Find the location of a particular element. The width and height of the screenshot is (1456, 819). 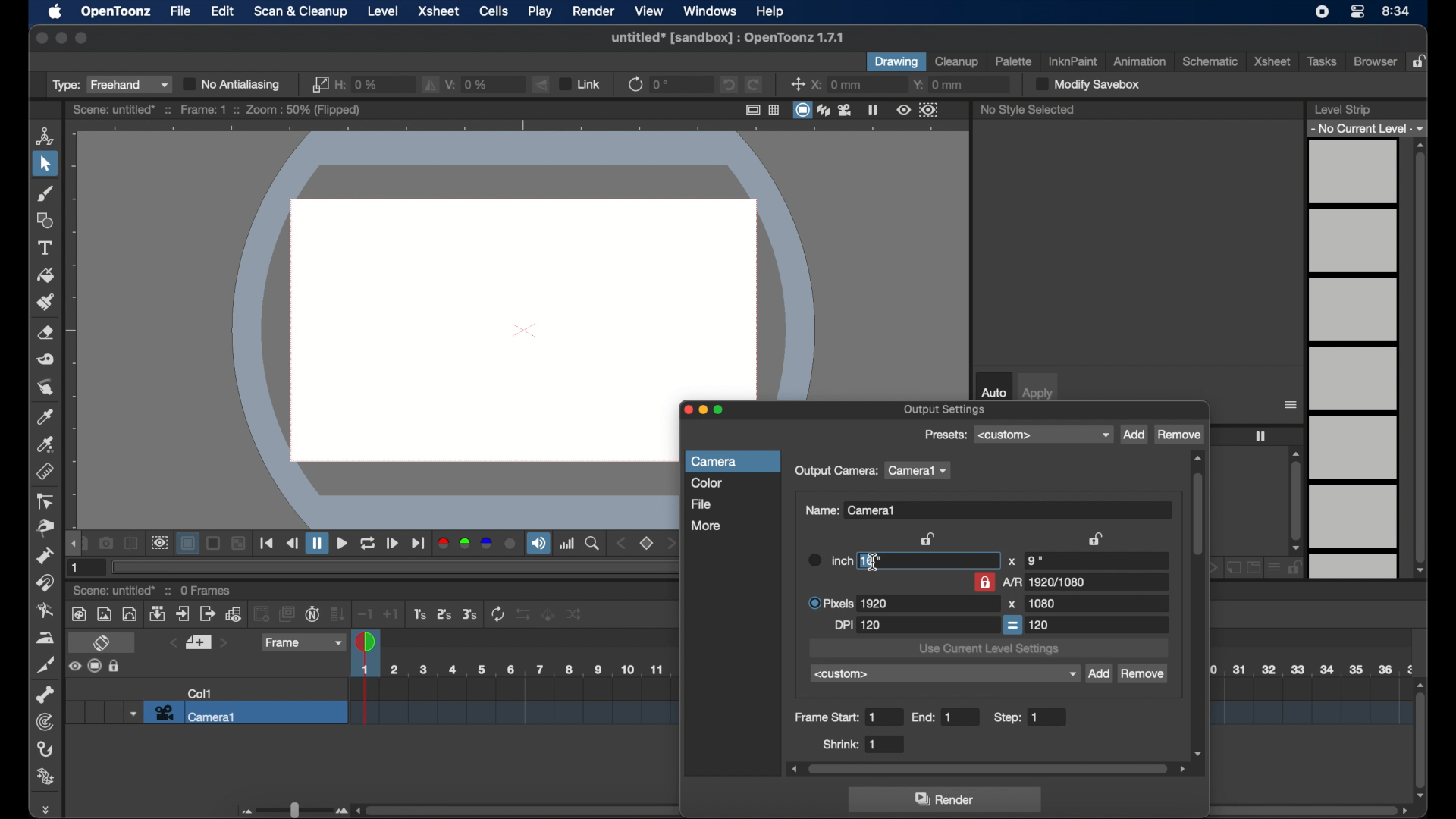

1 is located at coordinates (77, 568).